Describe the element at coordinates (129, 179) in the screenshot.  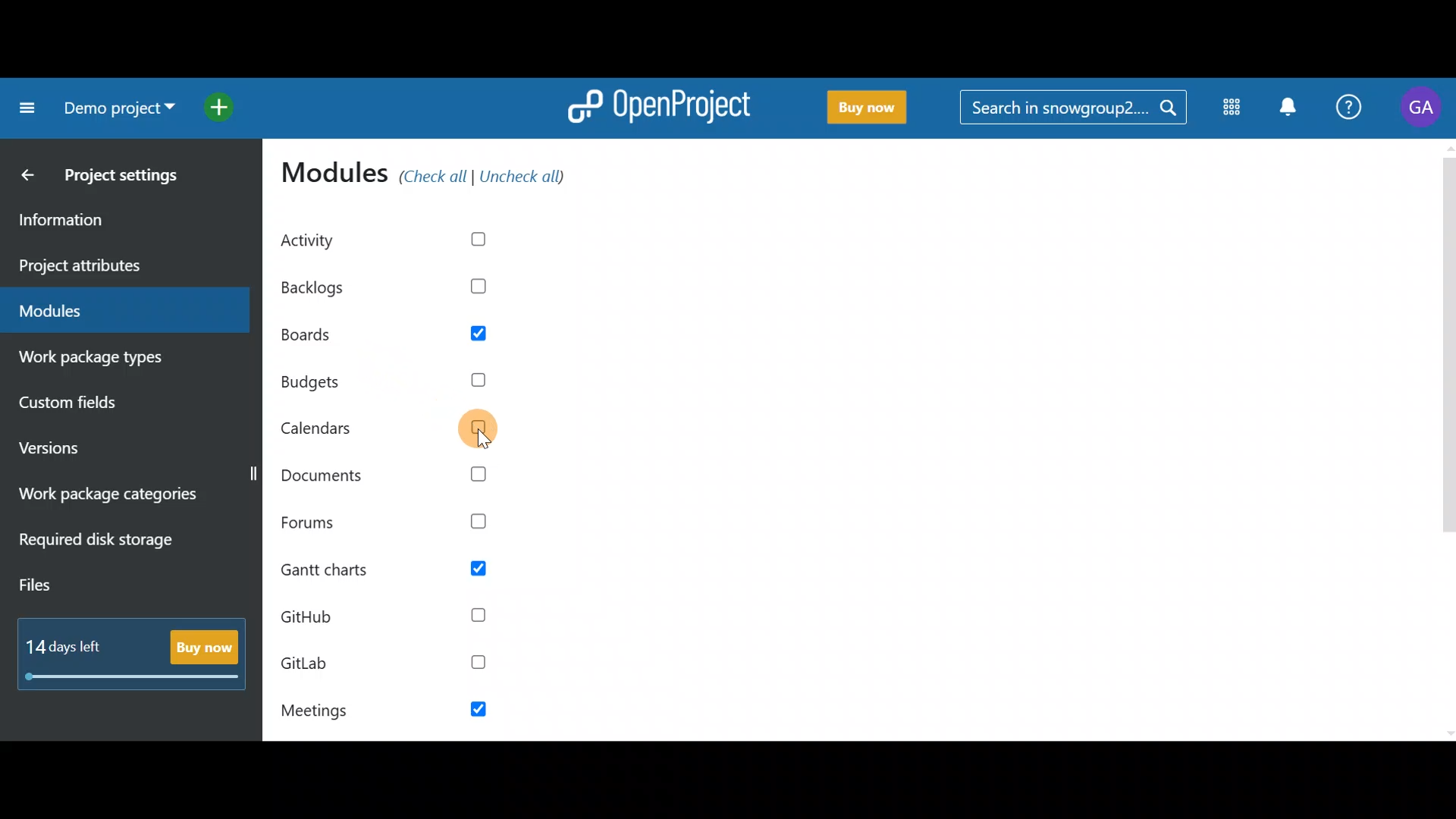
I see `Project settings` at that location.